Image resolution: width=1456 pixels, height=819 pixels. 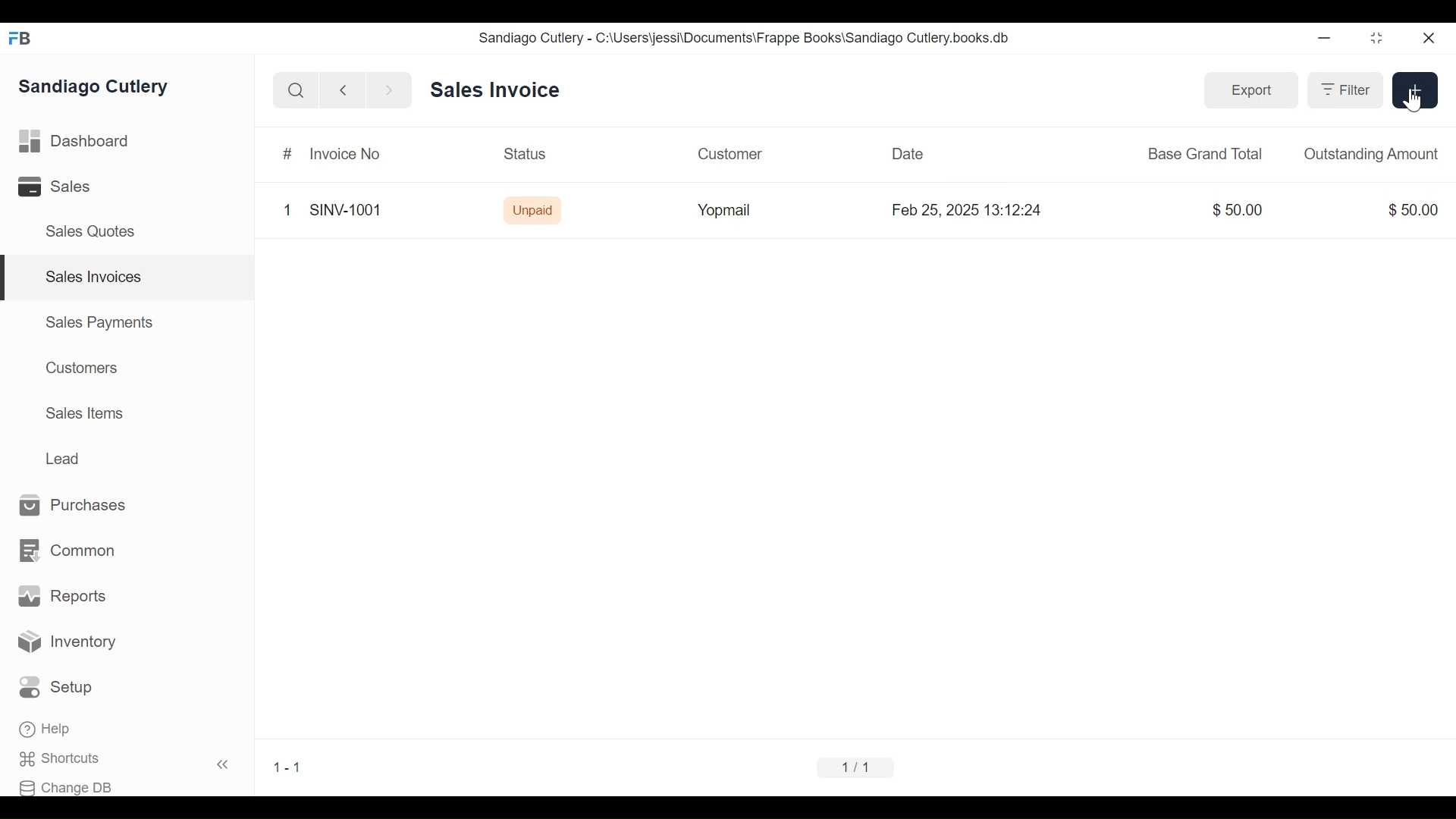 What do you see at coordinates (64, 457) in the screenshot?
I see `Lead` at bounding box center [64, 457].